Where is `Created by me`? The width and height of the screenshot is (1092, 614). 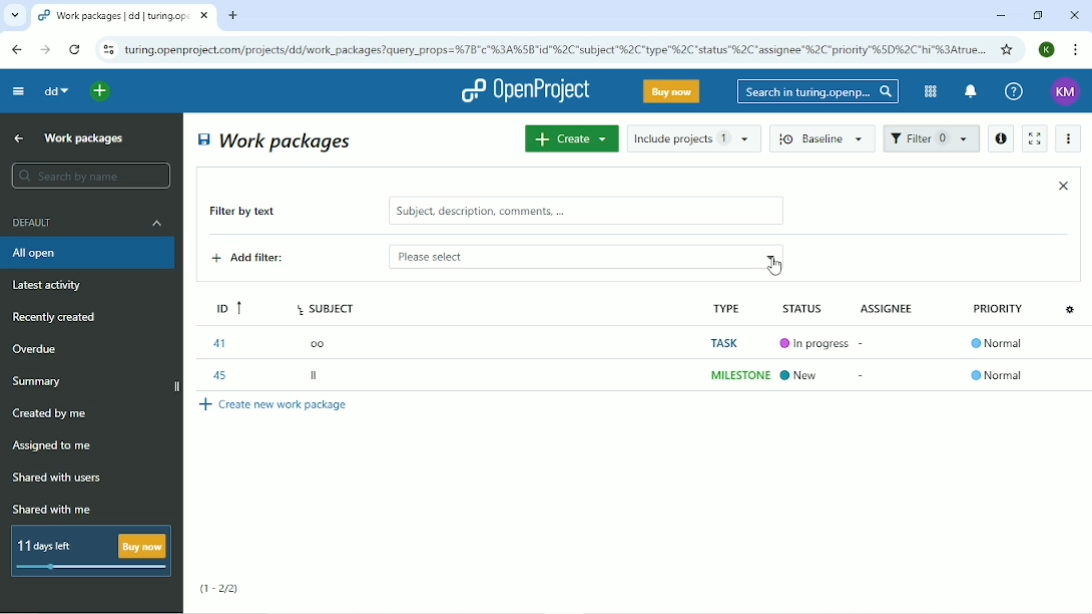
Created by me is located at coordinates (53, 414).